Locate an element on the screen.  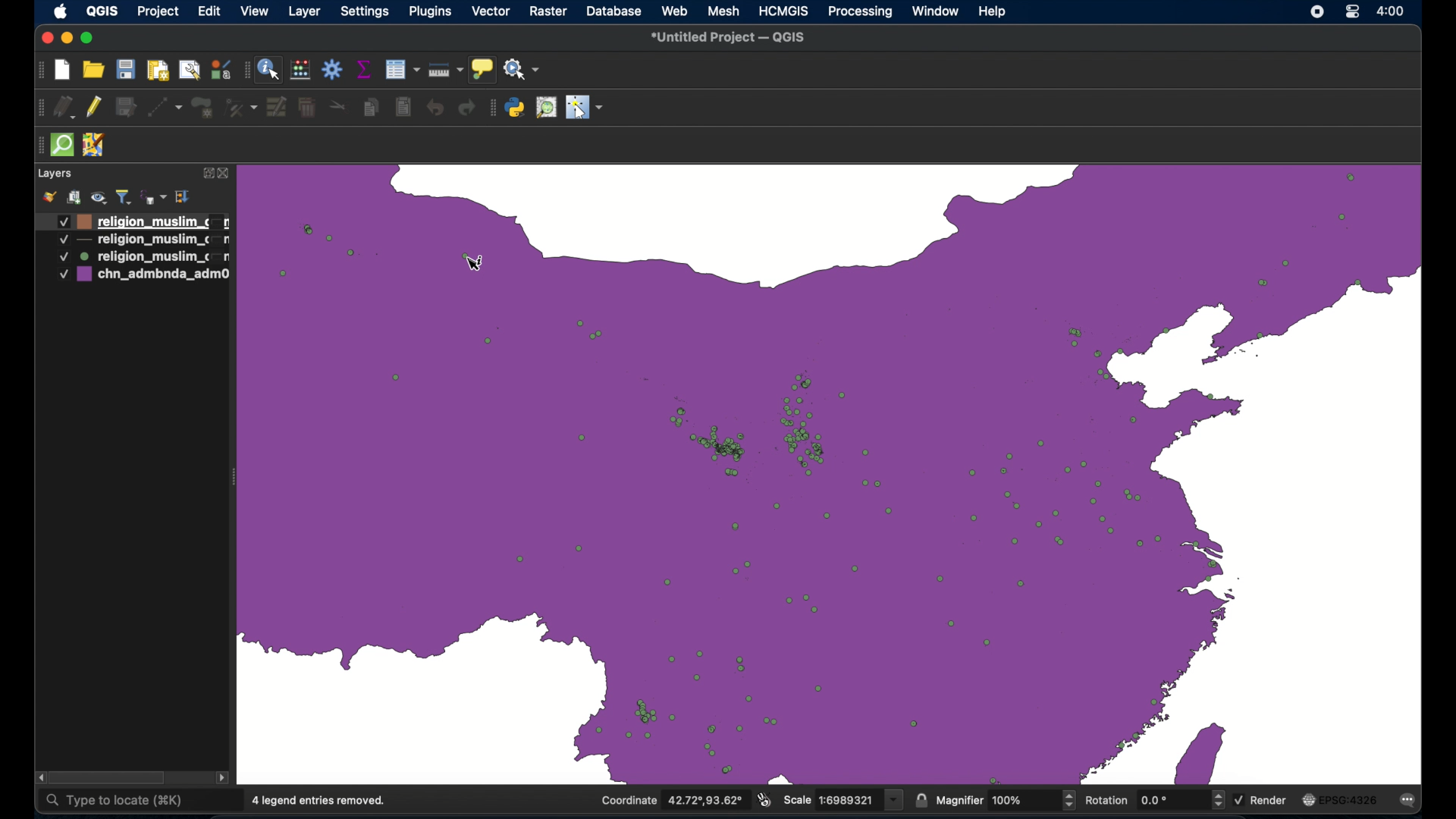
vector is located at coordinates (491, 11).